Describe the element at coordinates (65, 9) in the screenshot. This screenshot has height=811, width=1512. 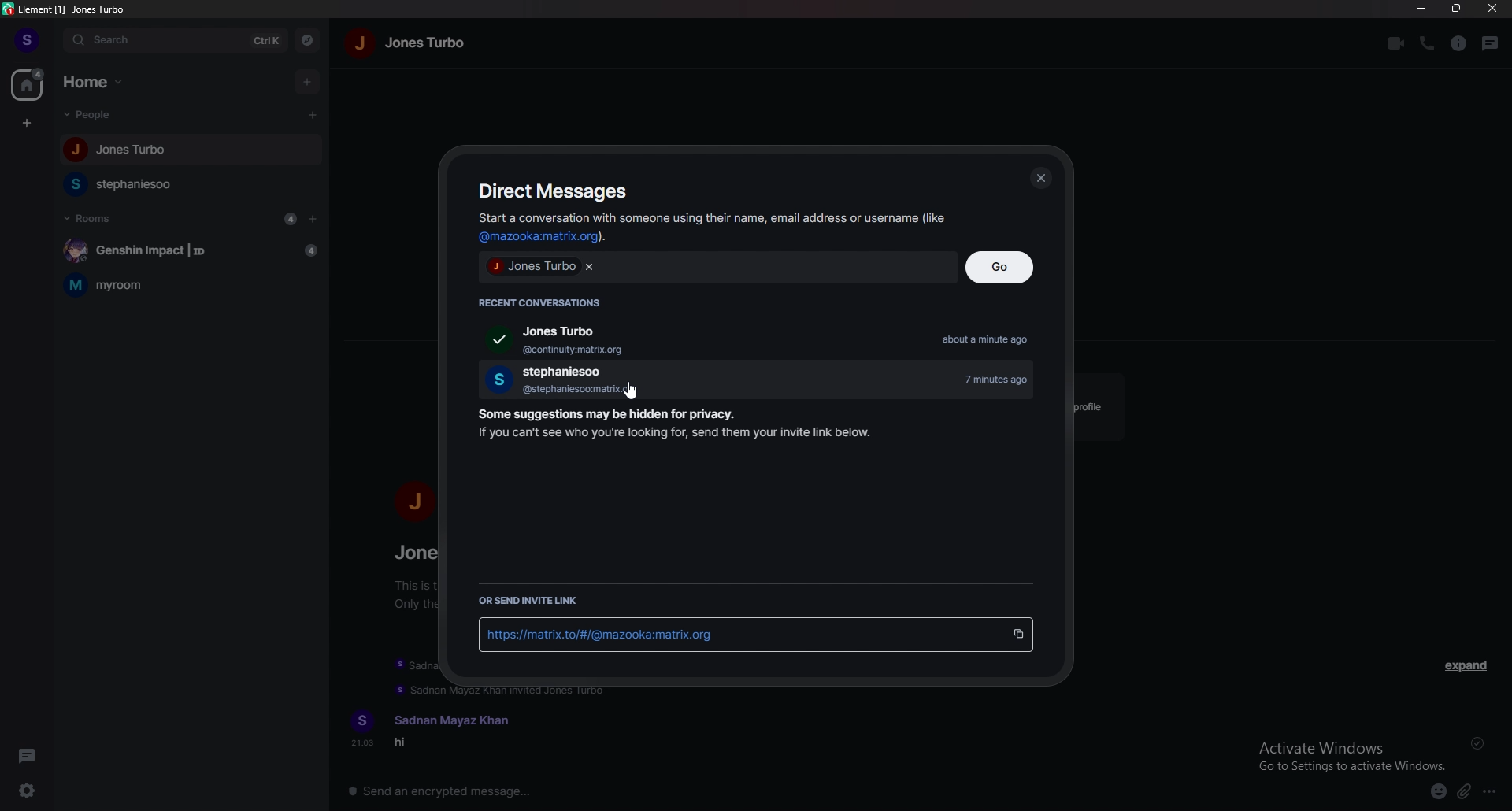
I see `element [1] | Jones Turbo` at that location.